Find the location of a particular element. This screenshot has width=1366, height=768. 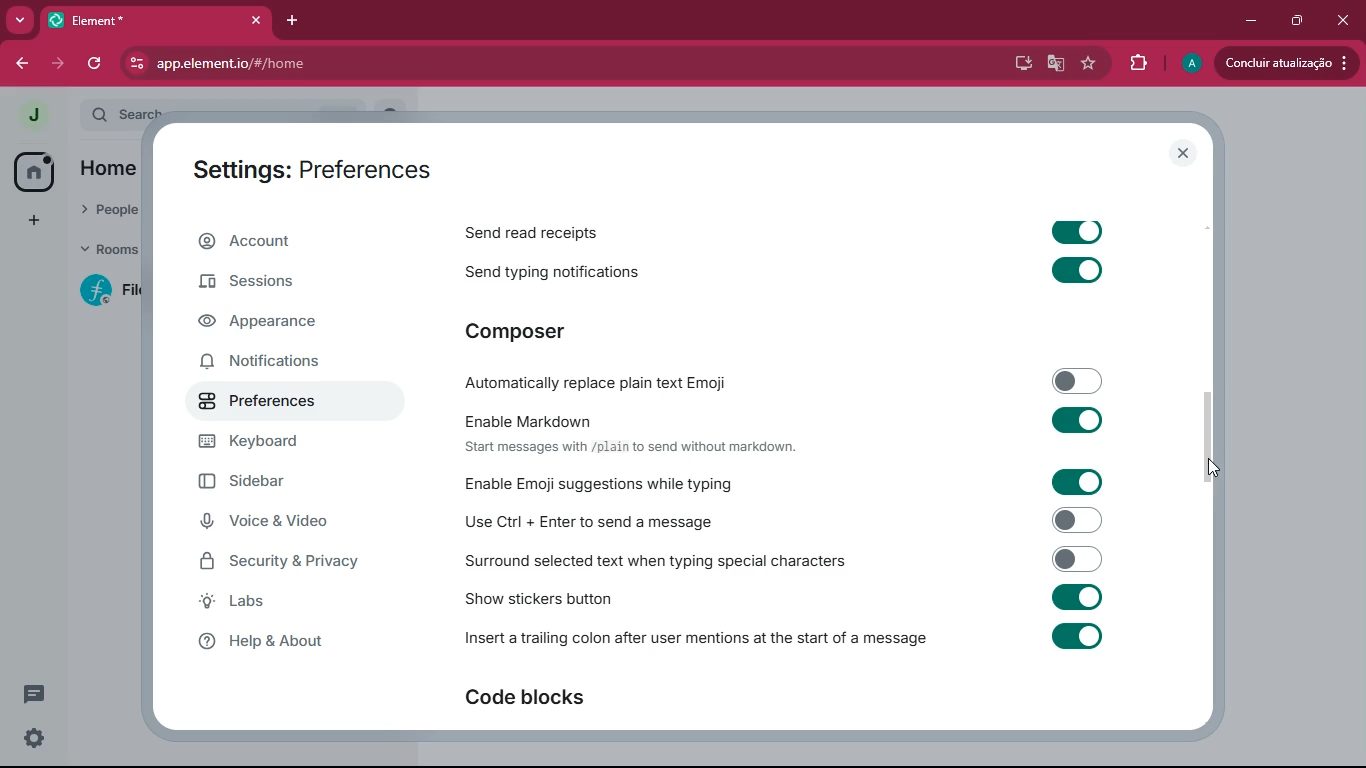

more is located at coordinates (19, 18).